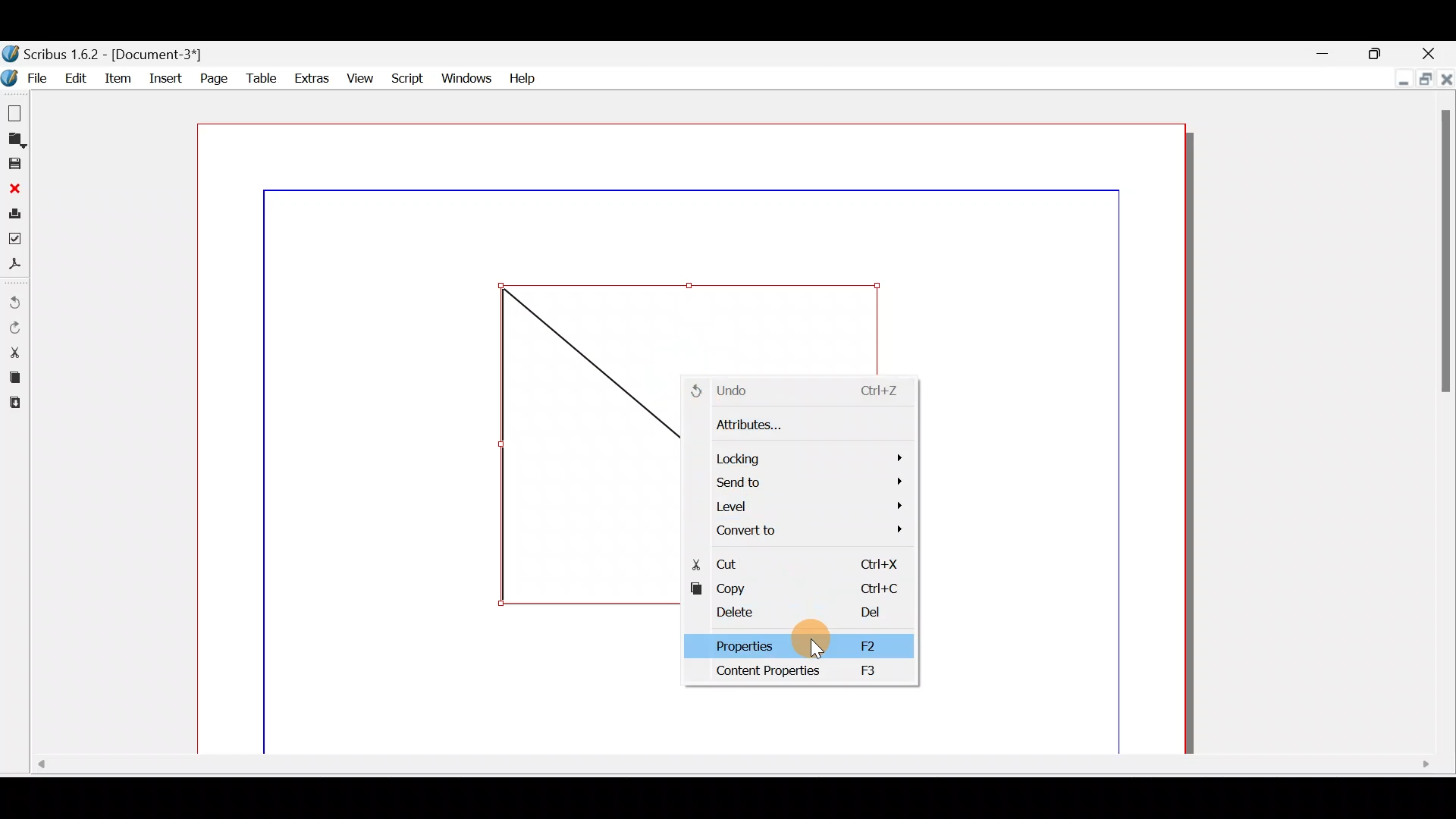 The image size is (1456, 819). Describe the element at coordinates (805, 506) in the screenshot. I see `Level` at that location.